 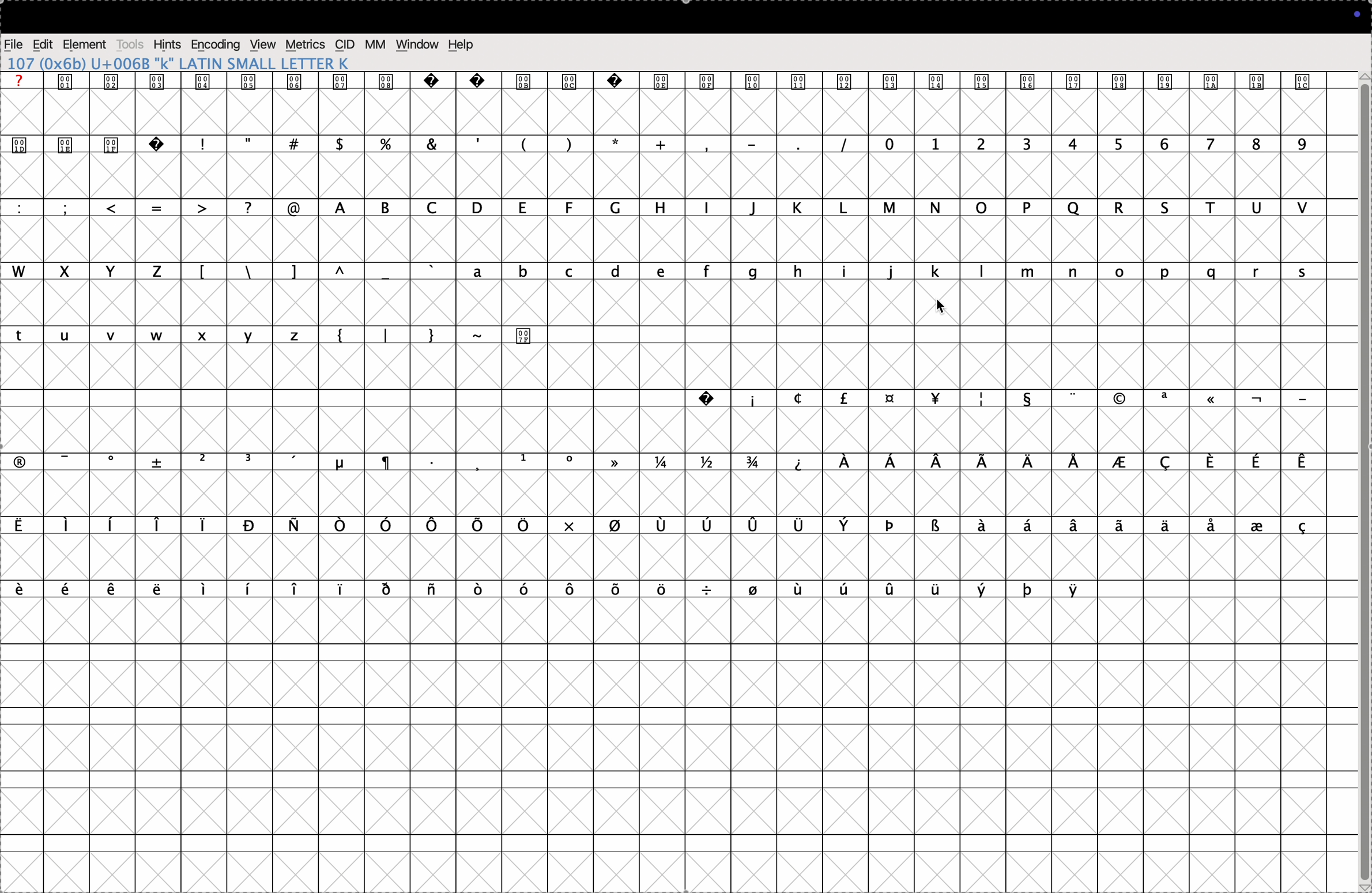 What do you see at coordinates (428, 335) in the screenshot?
I see `}` at bounding box center [428, 335].